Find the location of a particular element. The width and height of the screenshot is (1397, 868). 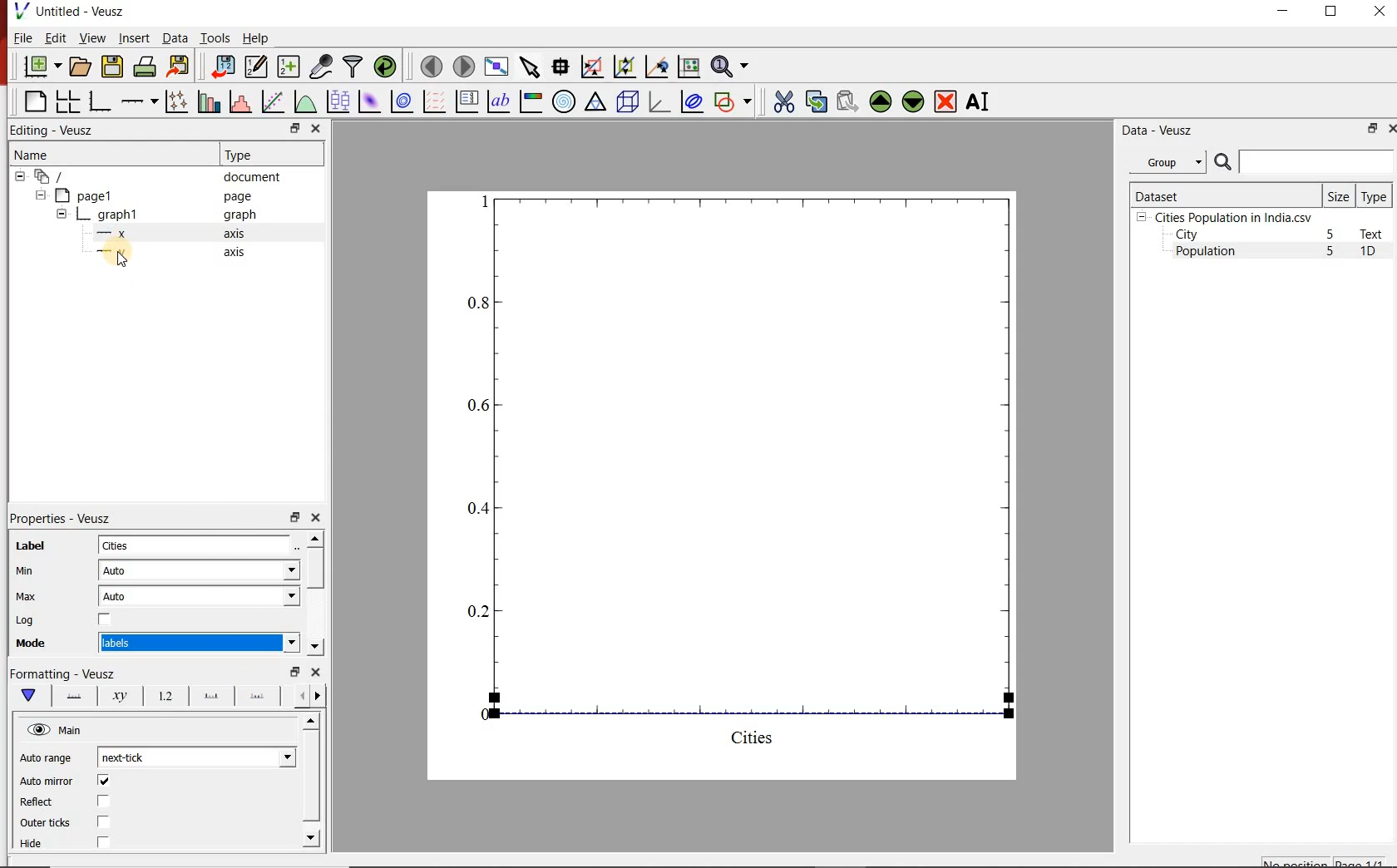

restore is located at coordinates (294, 516).